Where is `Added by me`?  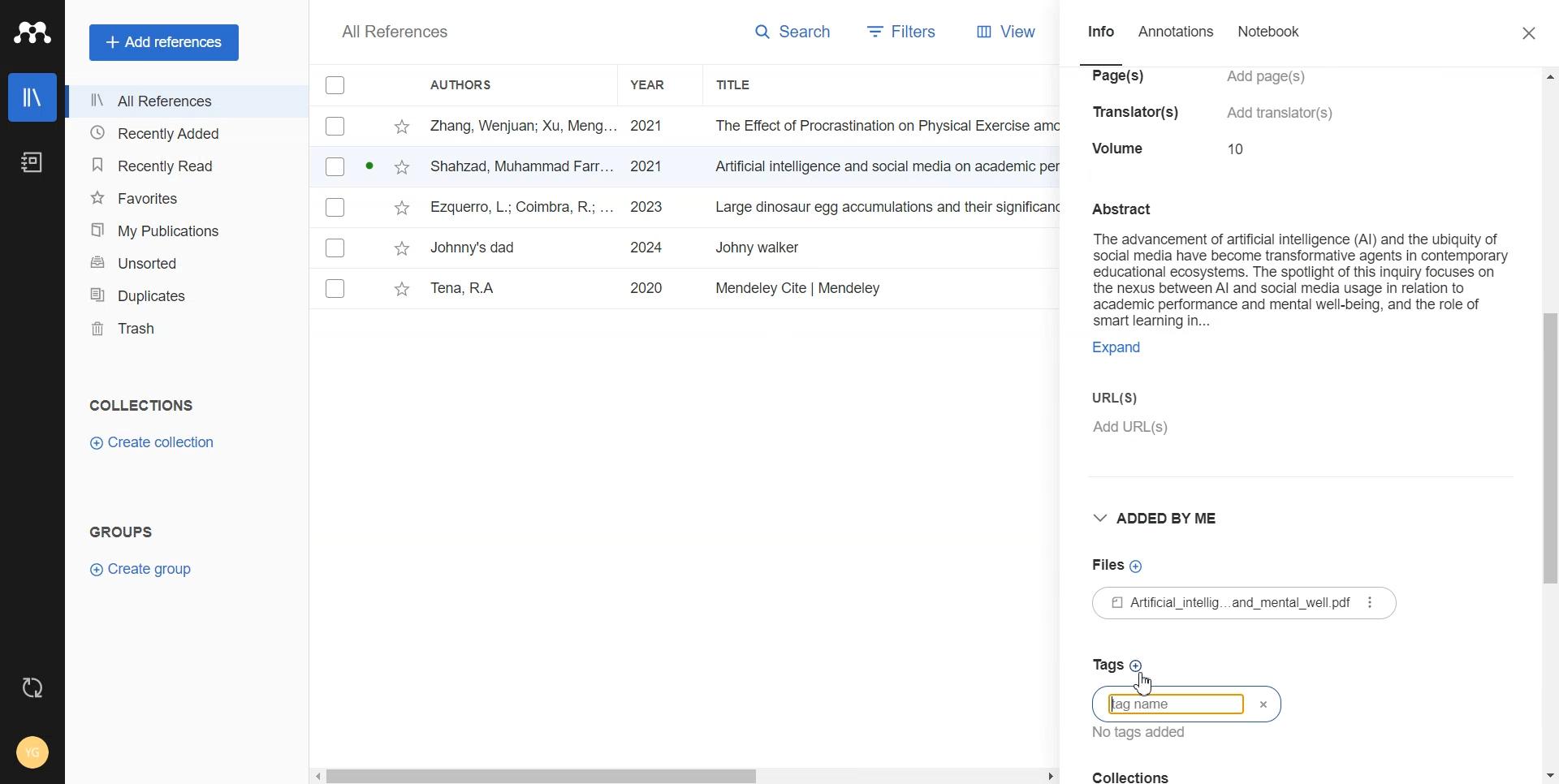
Added by me is located at coordinates (1165, 518).